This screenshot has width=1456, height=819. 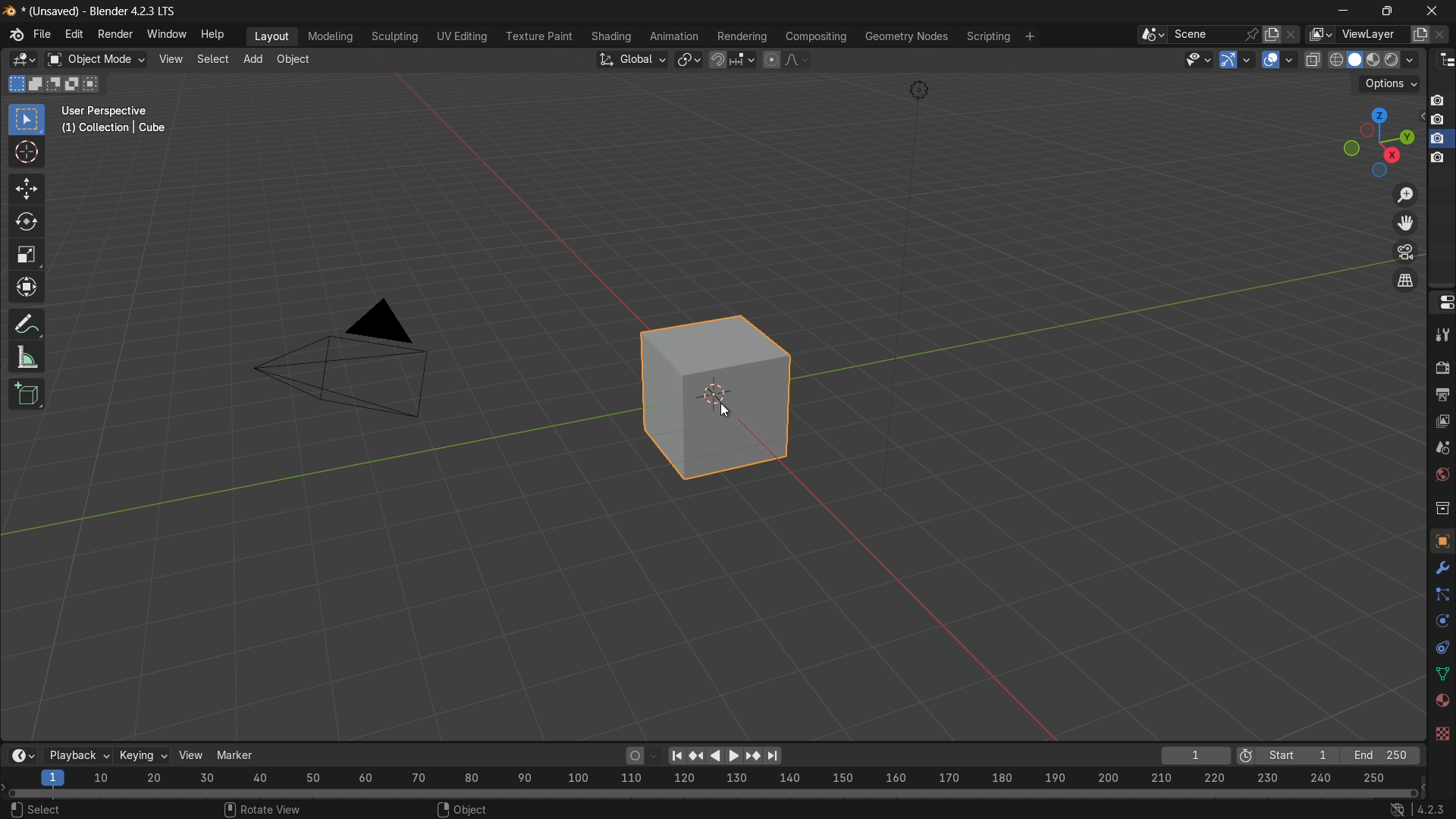 What do you see at coordinates (215, 34) in the screenshot?
I see `help menu` at bounding box center [215, 34].